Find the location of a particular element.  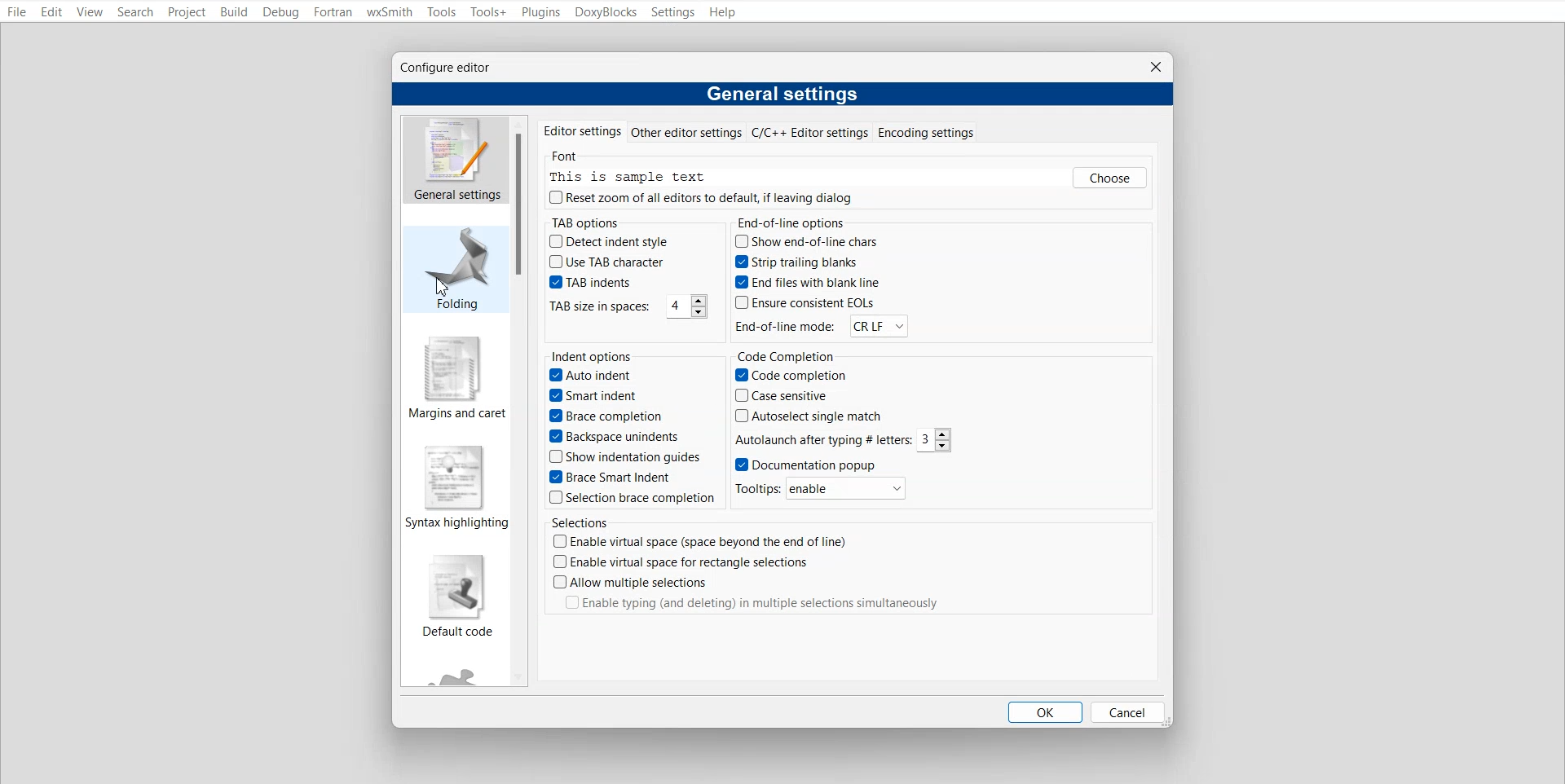

Settings is located at coordinates (674, 12).